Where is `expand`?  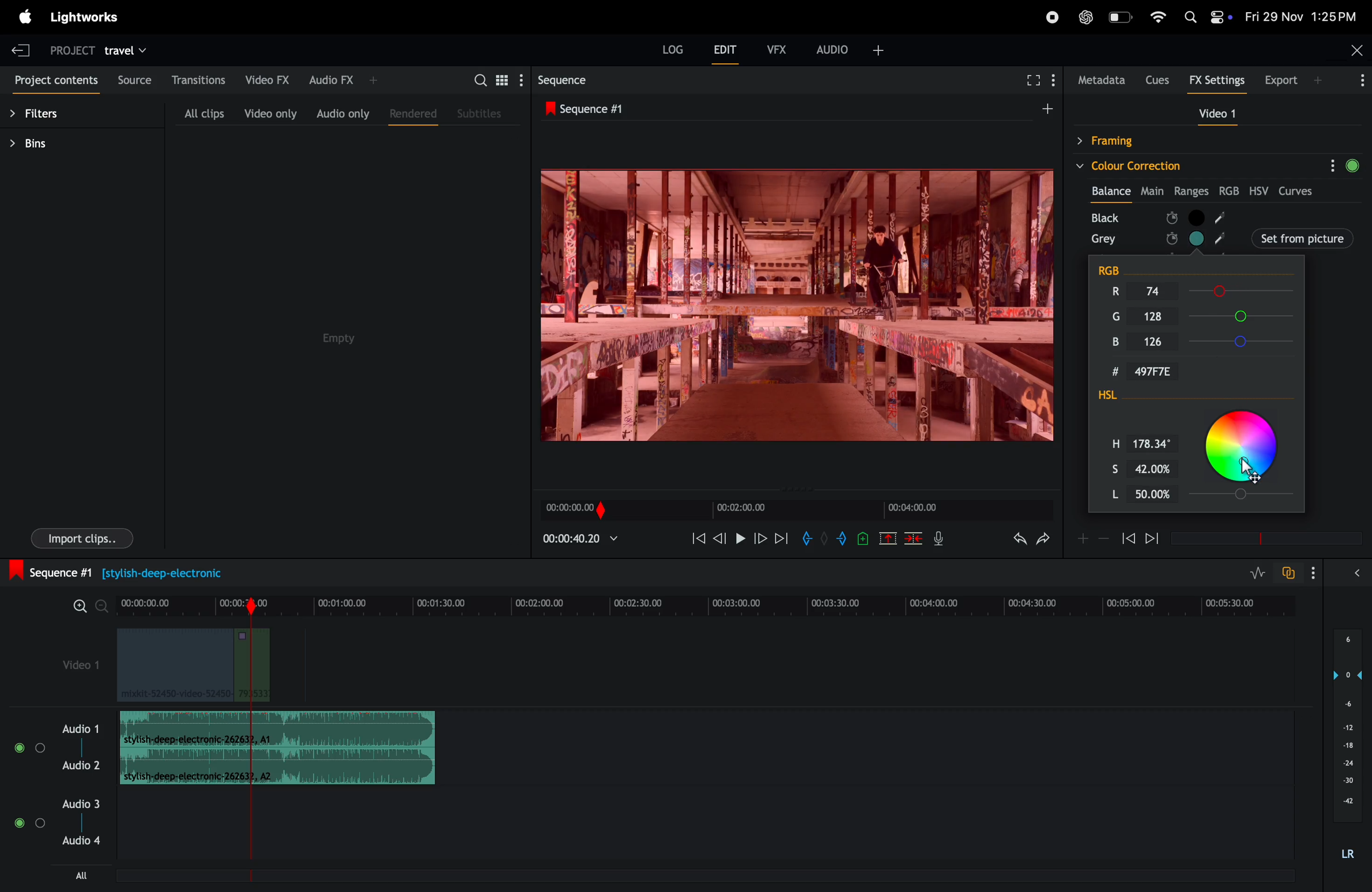 expand is located at coordinates (1356, 573).